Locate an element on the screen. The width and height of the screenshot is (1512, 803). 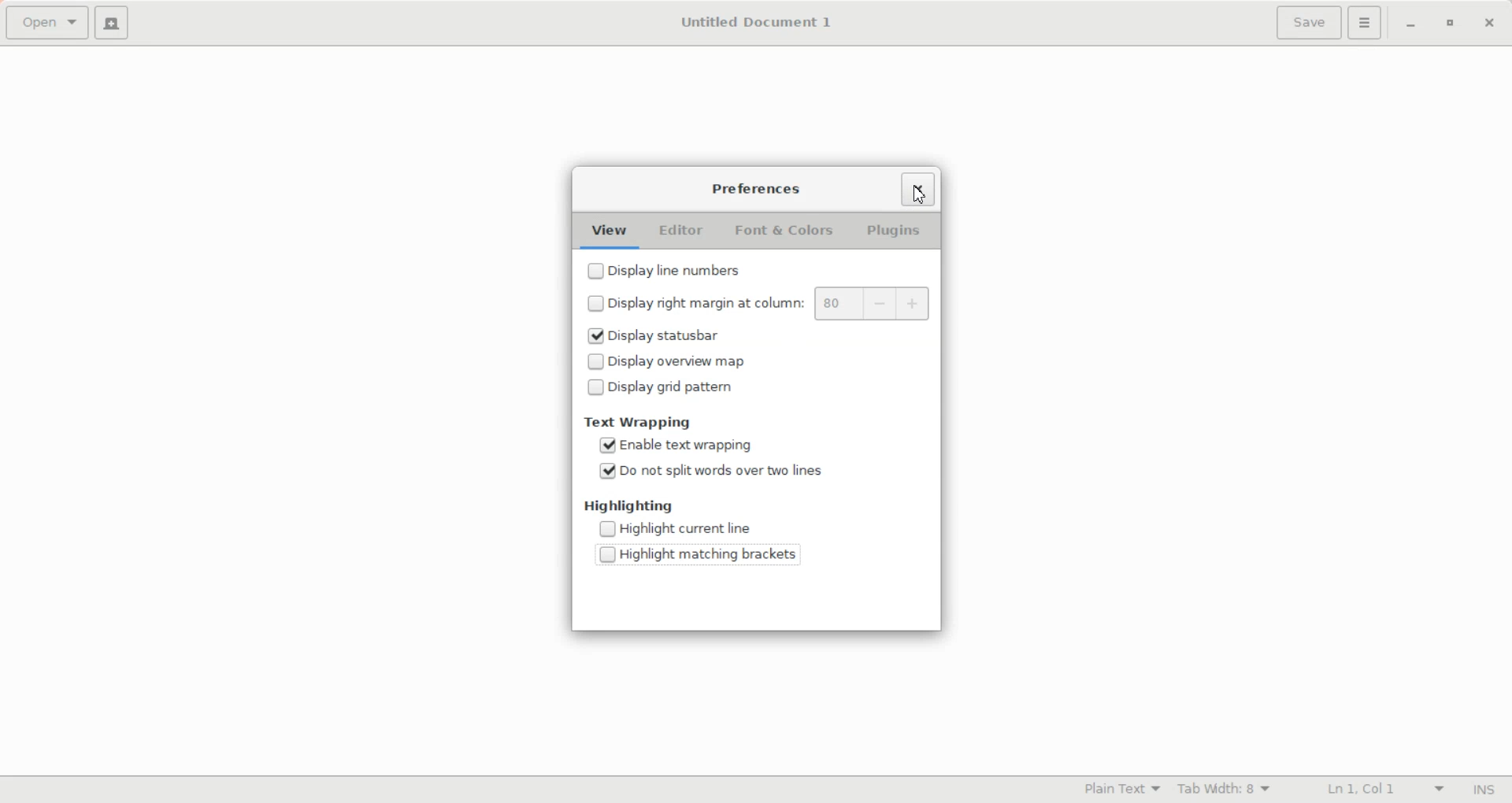
Line Column is located at coordinates (1371, 790).